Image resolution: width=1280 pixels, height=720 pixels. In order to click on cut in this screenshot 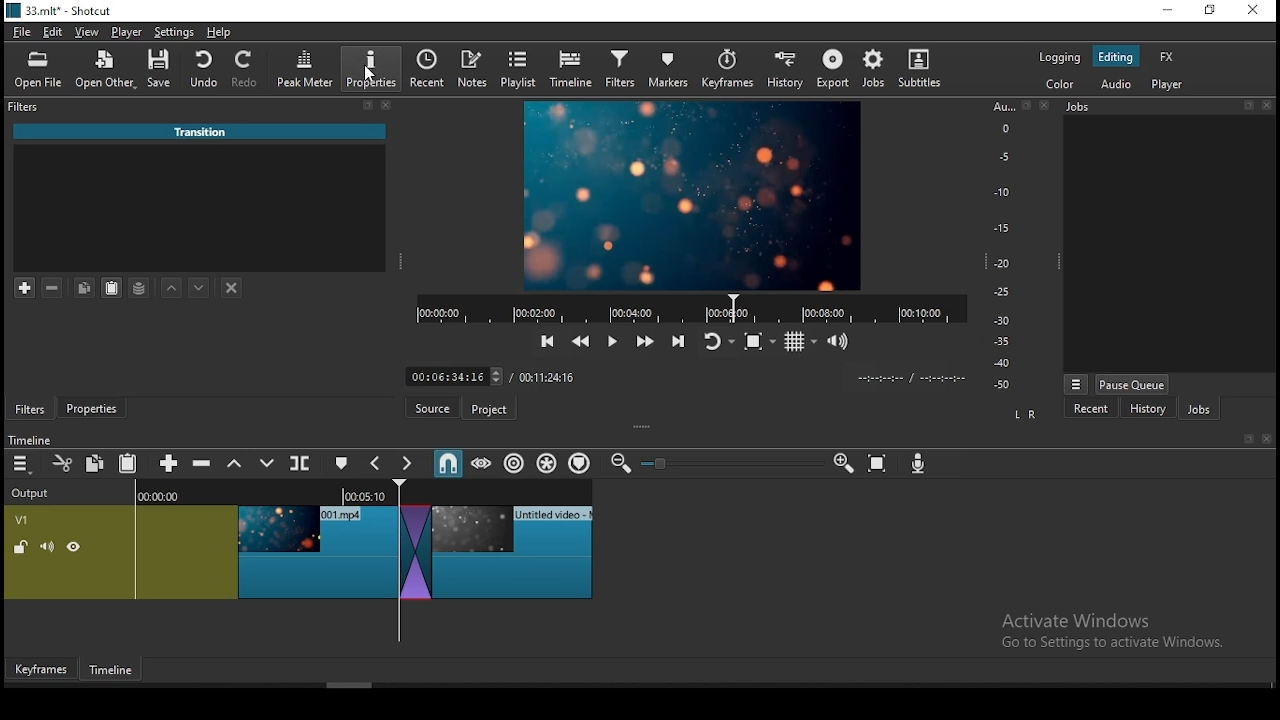, I will do `click(63, 463)`.